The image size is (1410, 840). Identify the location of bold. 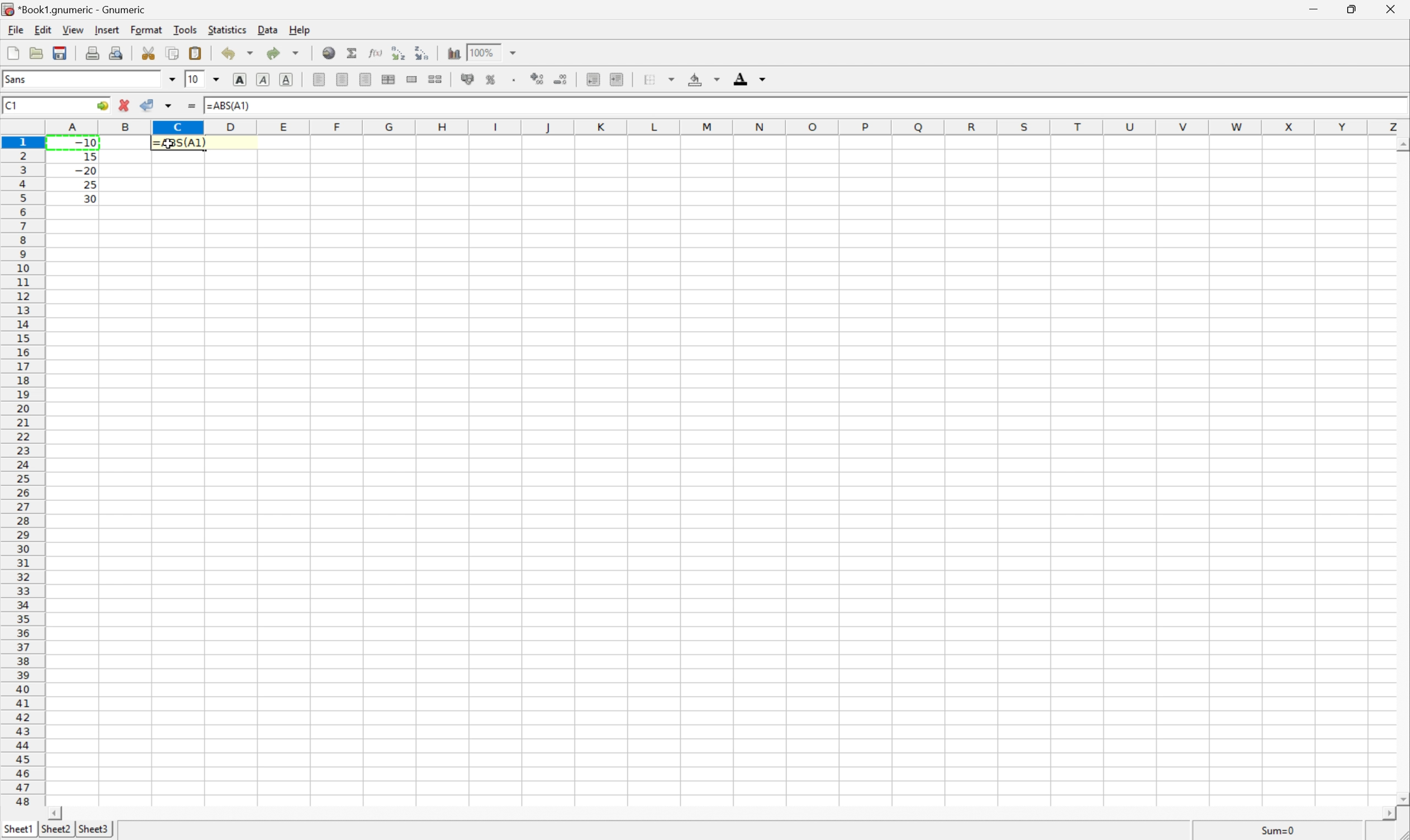
(237, 78).